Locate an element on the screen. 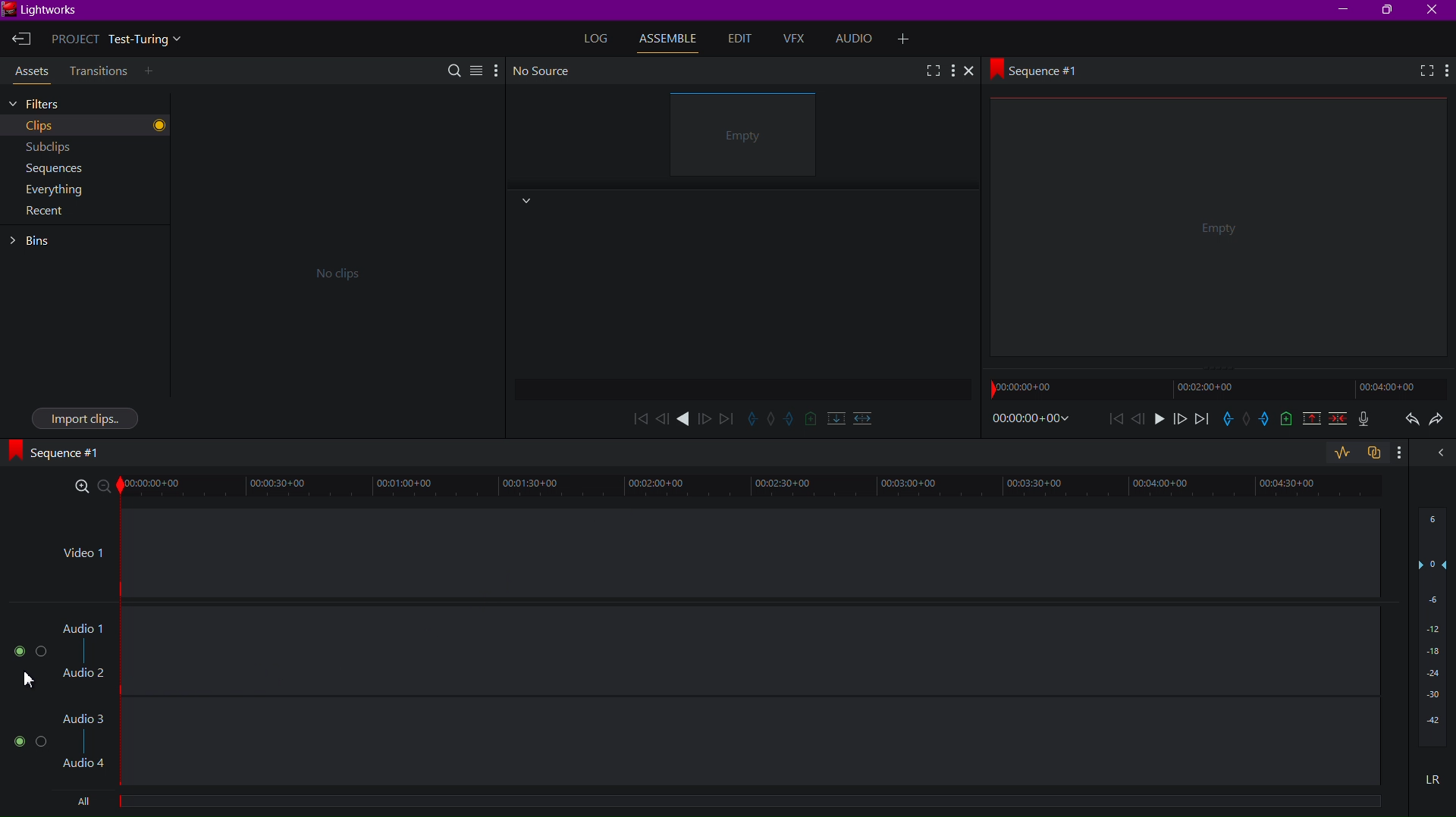 This screenshot has width=1456, height=817. Import clips is located at coordinates (85, 417).